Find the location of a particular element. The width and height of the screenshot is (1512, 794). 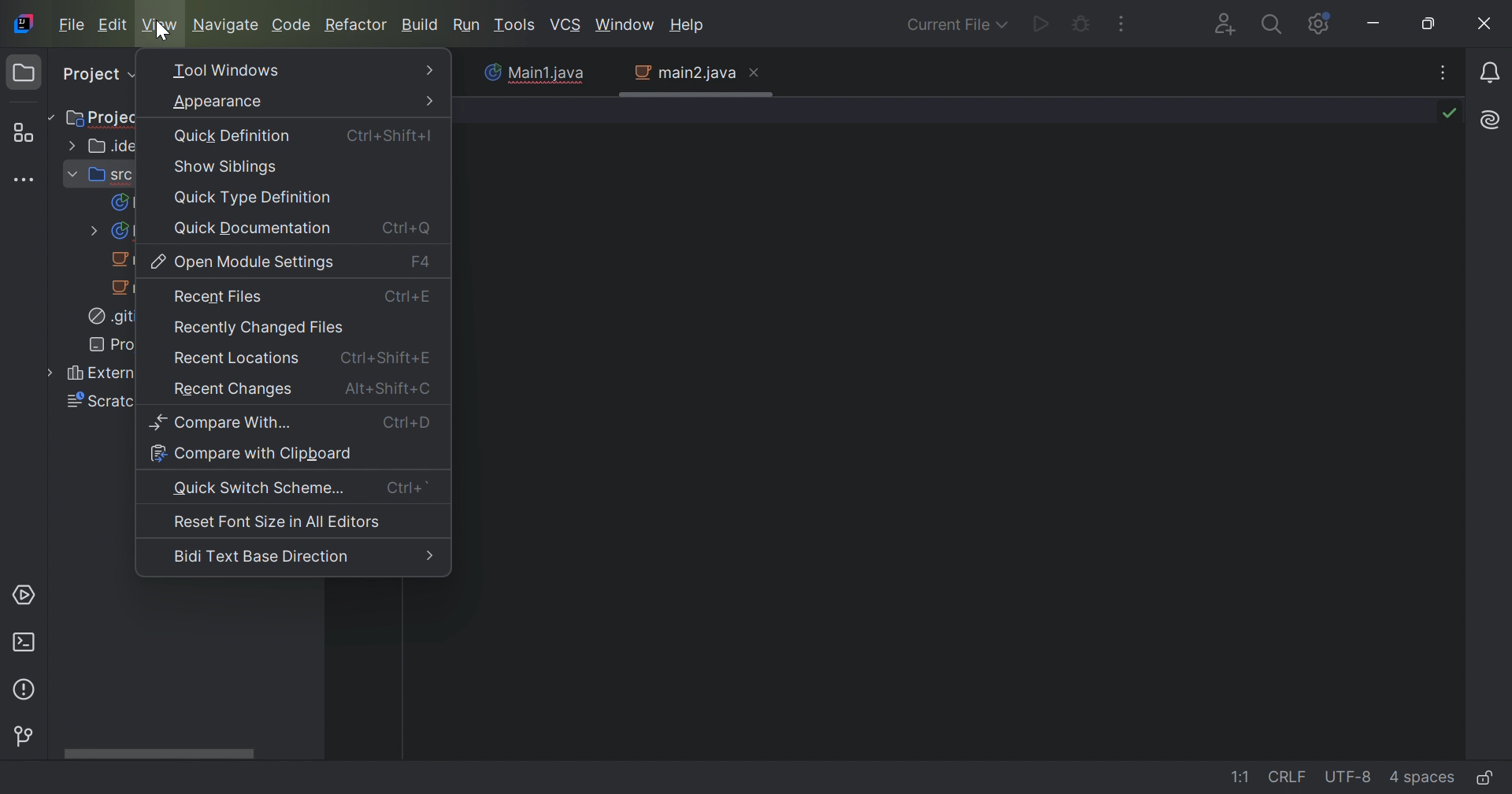

Minimize is located at coordinates (1374, 24).